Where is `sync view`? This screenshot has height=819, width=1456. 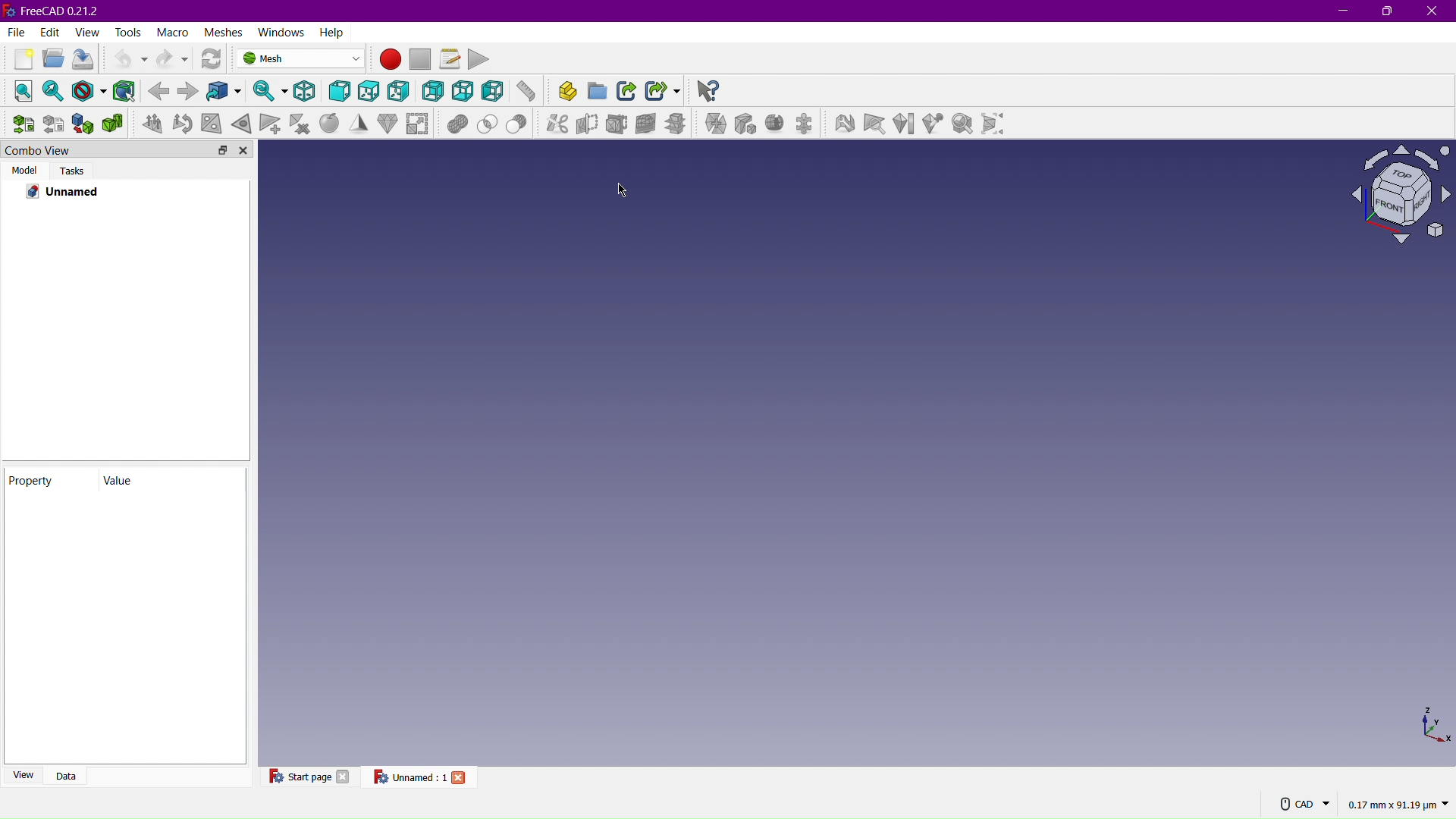
sync view is located at coordinates (265, 93).